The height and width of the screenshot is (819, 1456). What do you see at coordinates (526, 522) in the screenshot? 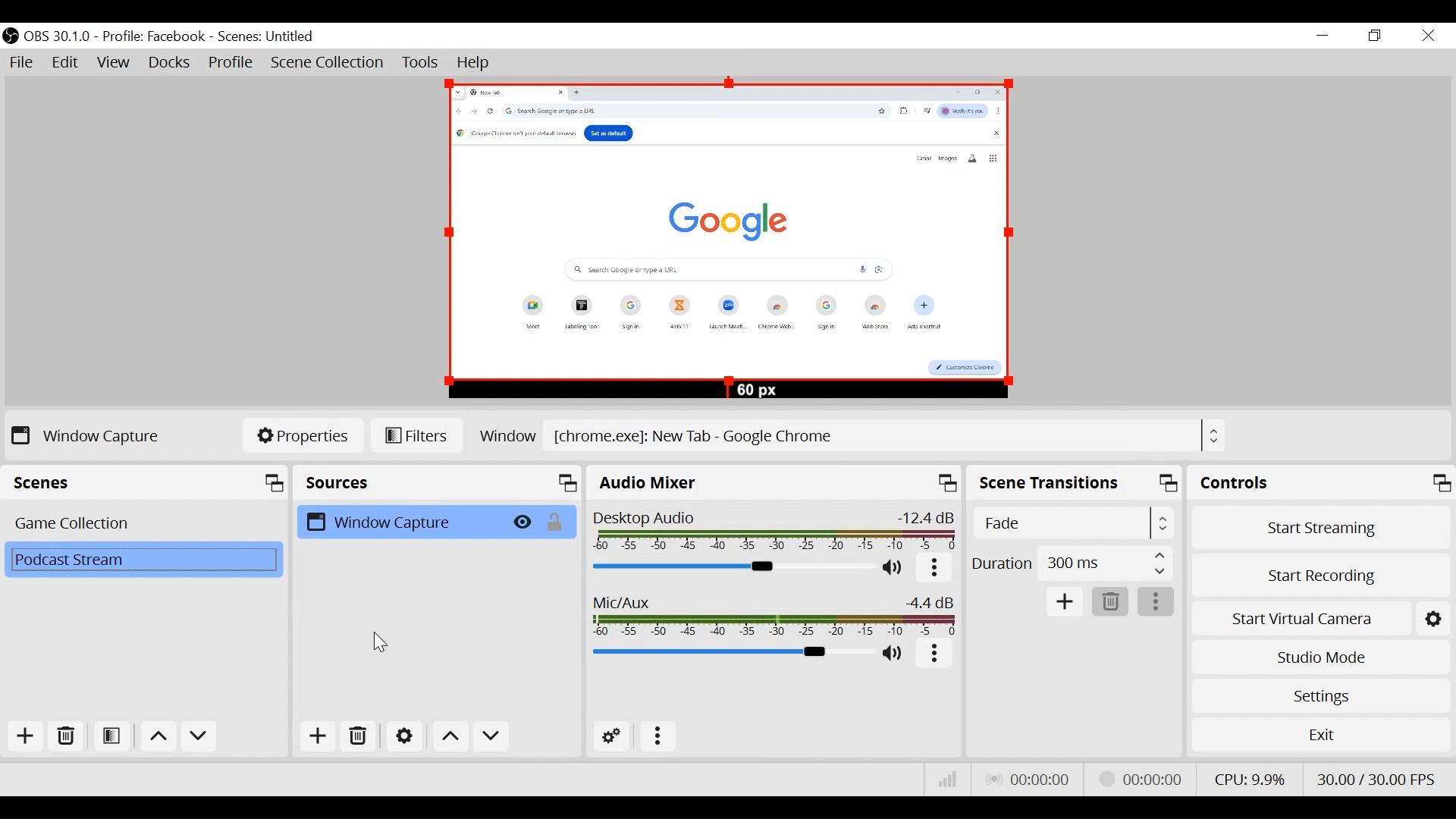
I see `Hide/Display` at bounding box center [526, 522].